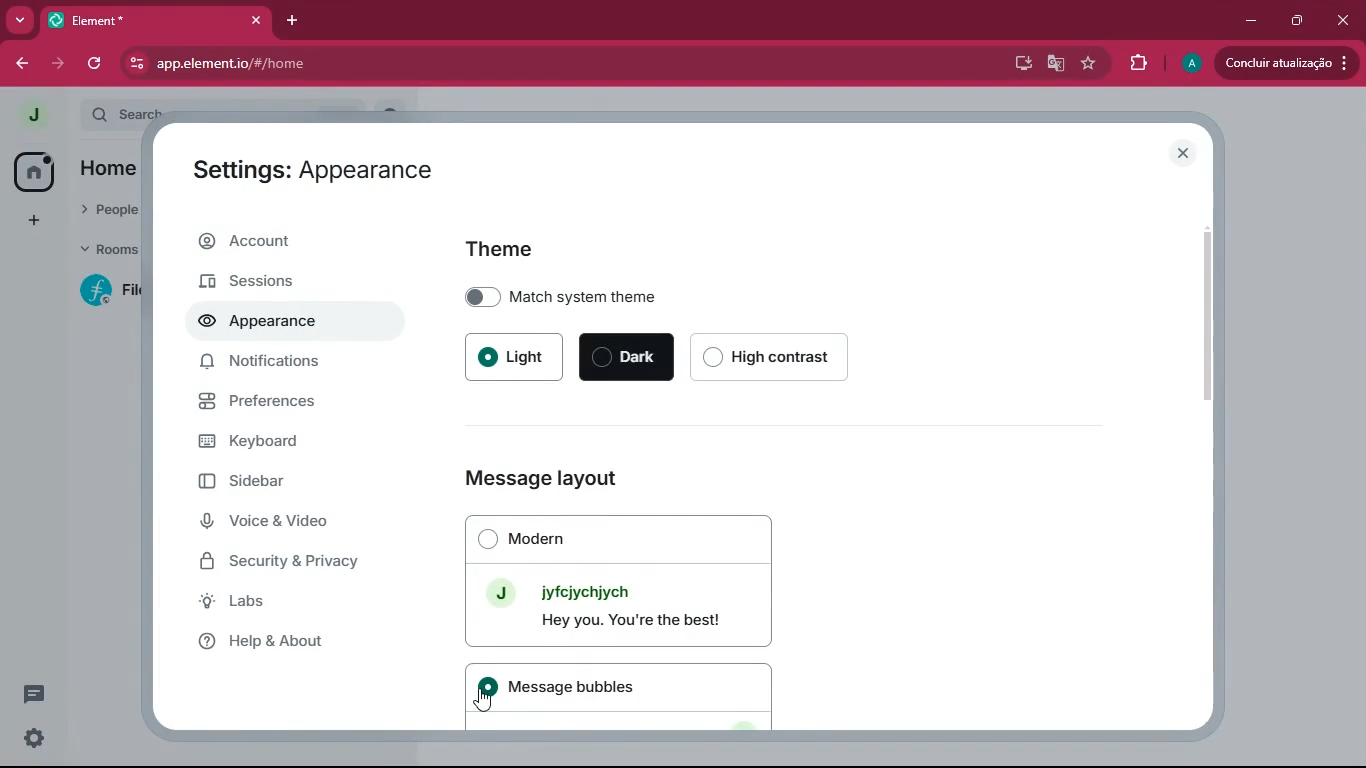 Image resolution: width=1366 pixels, height=768 pixels. I want to click on profile picture, so click(32, 112).